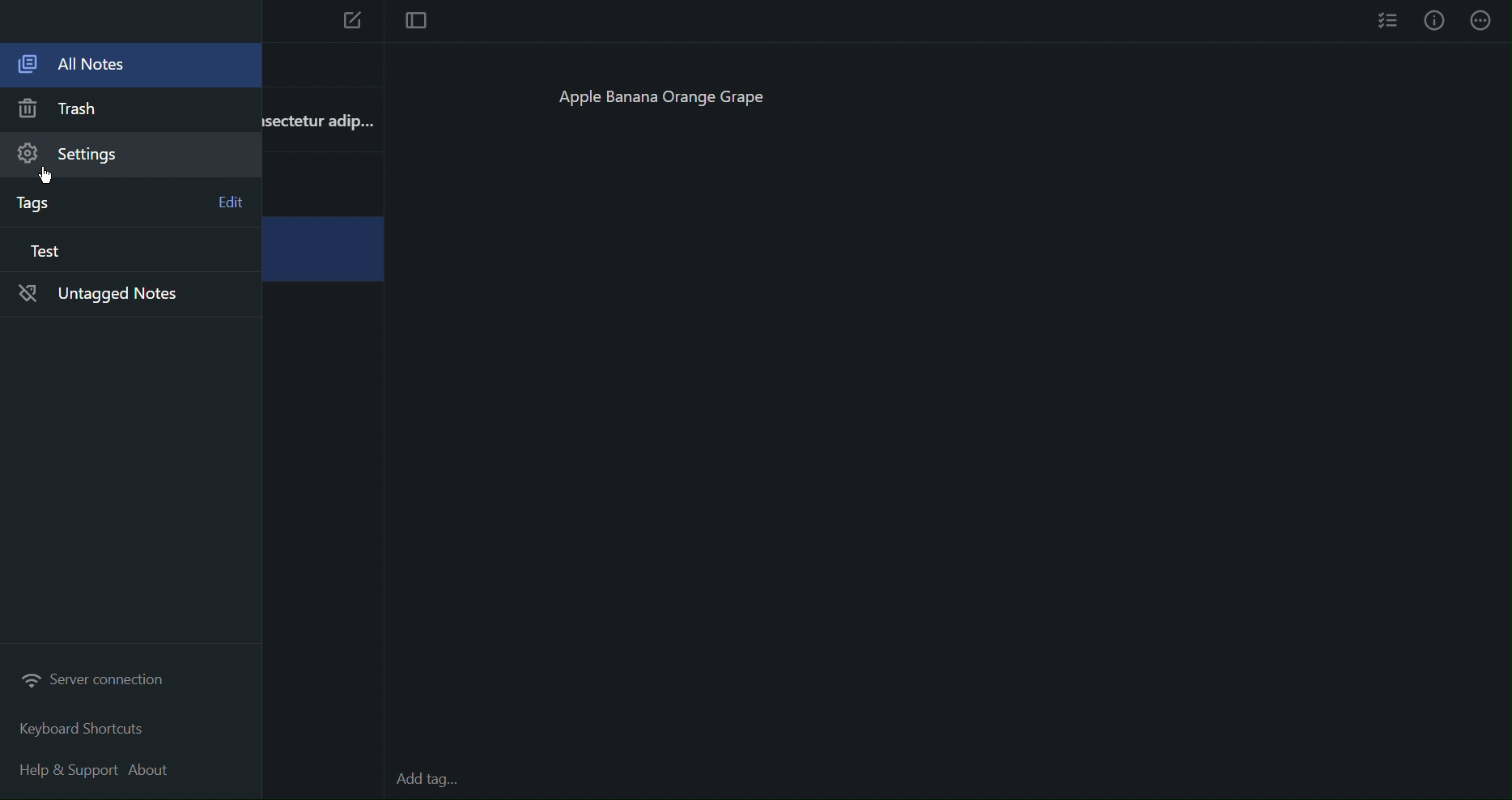  What do you see at coordinates (435, 781) in the screenshot?
I see `Add tag` at bounding box center [435, 781].